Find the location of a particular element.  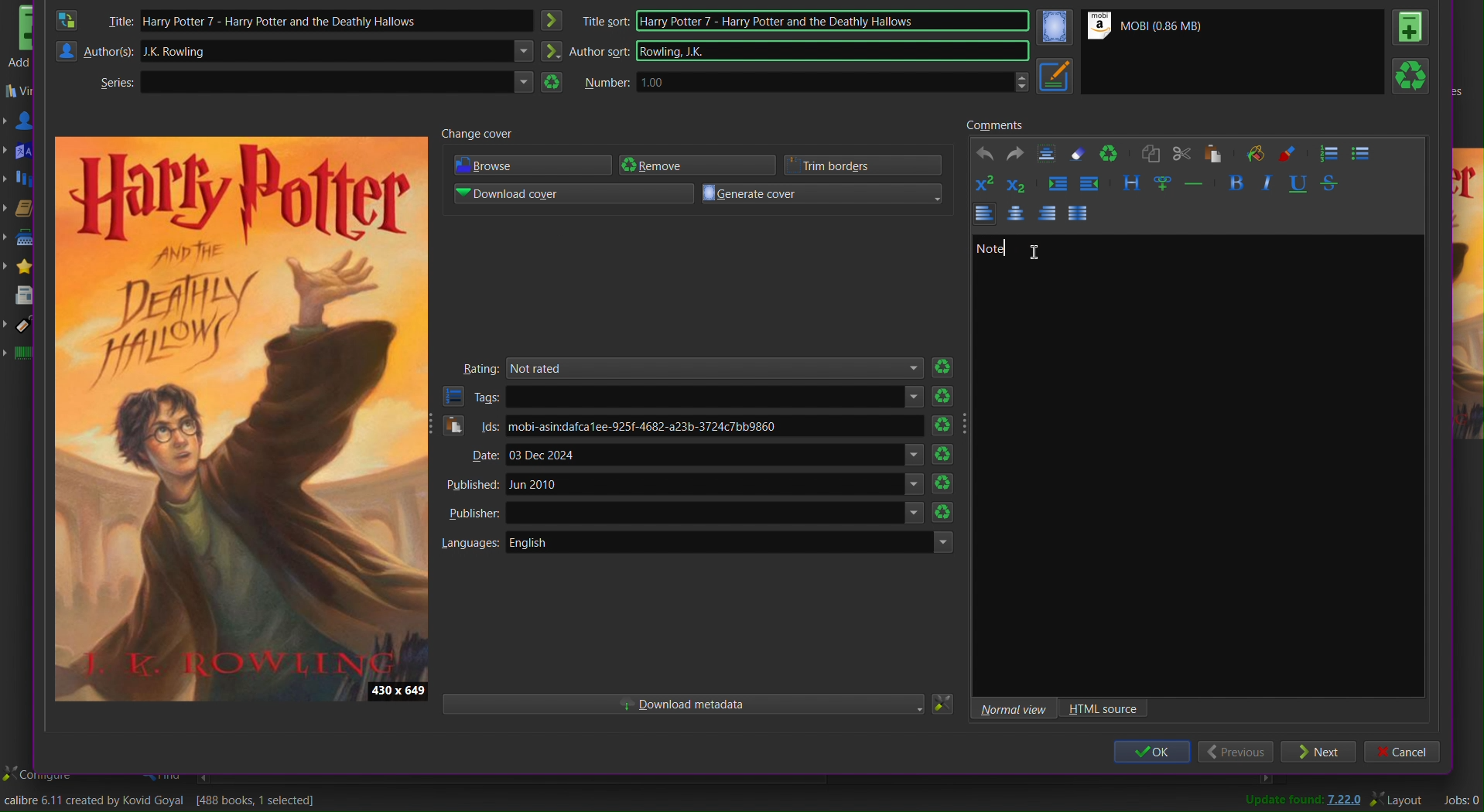

Refresh is located at coordinates (945, 421).